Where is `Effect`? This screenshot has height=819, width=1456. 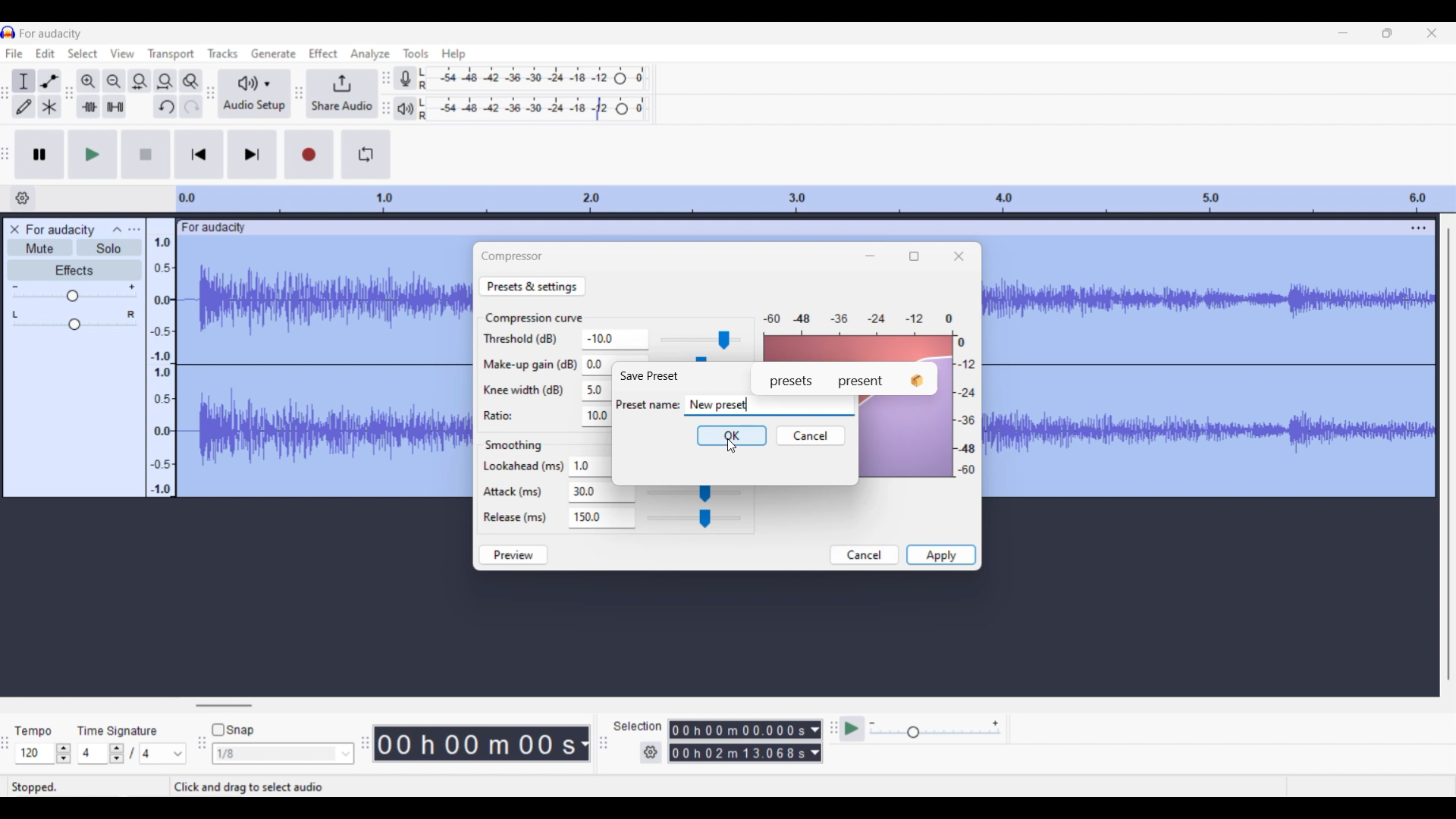
Effect is located at coordinates (323, 53).